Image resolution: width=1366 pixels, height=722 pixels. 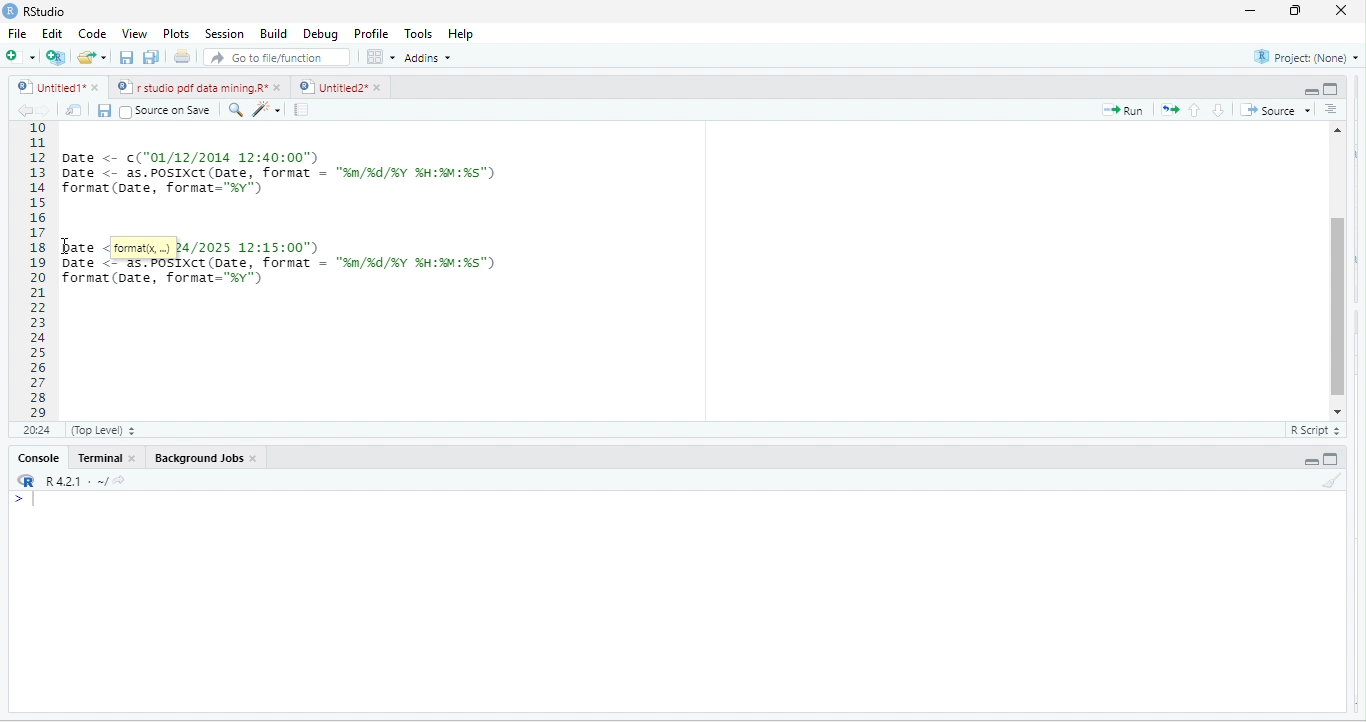 I want to click on scroll down, so click(x=1337, y=411).